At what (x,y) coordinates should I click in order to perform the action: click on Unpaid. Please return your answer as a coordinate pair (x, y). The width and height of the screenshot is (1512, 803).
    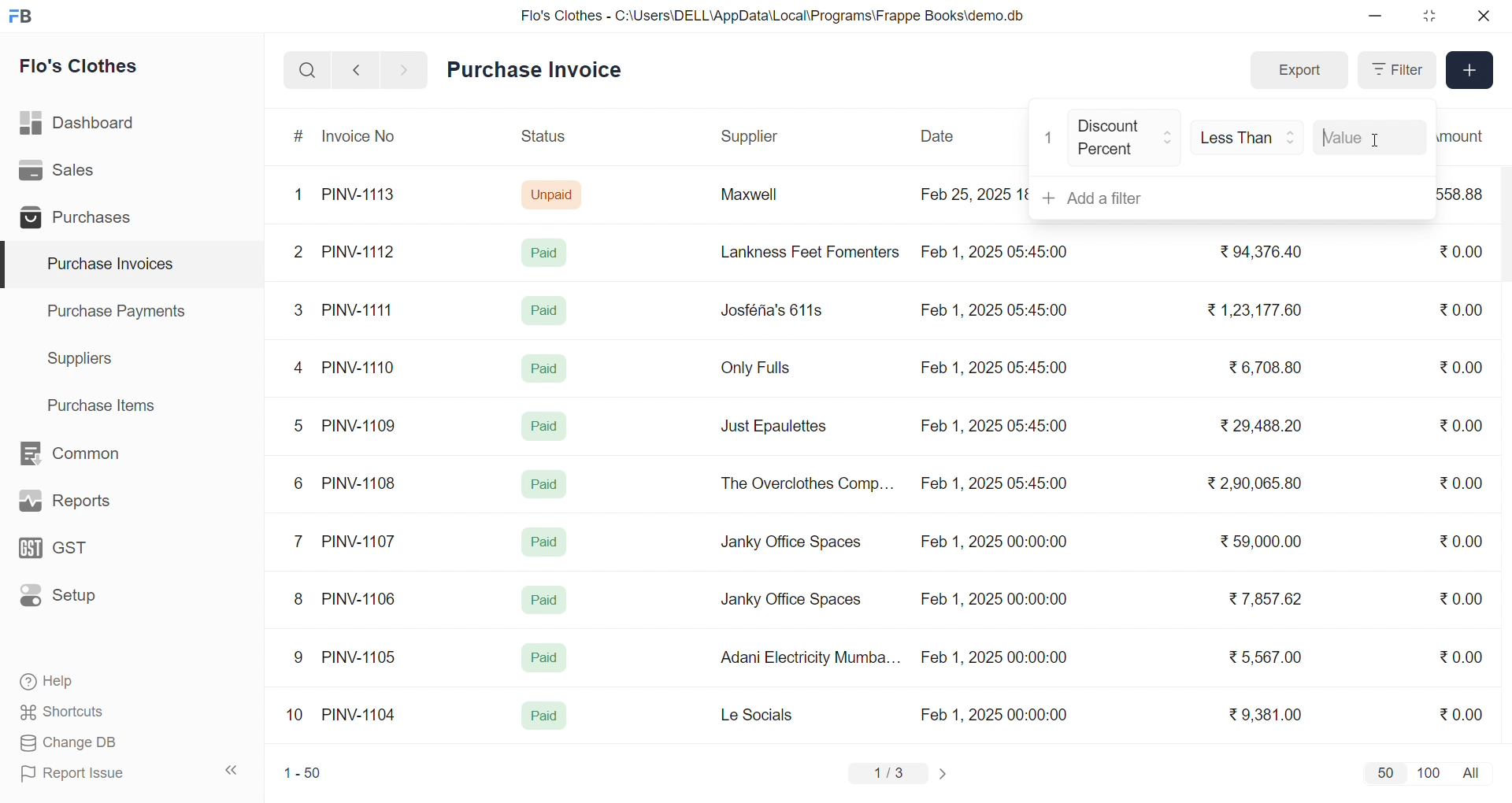
    Looking at the image, I should click on (554, 194).